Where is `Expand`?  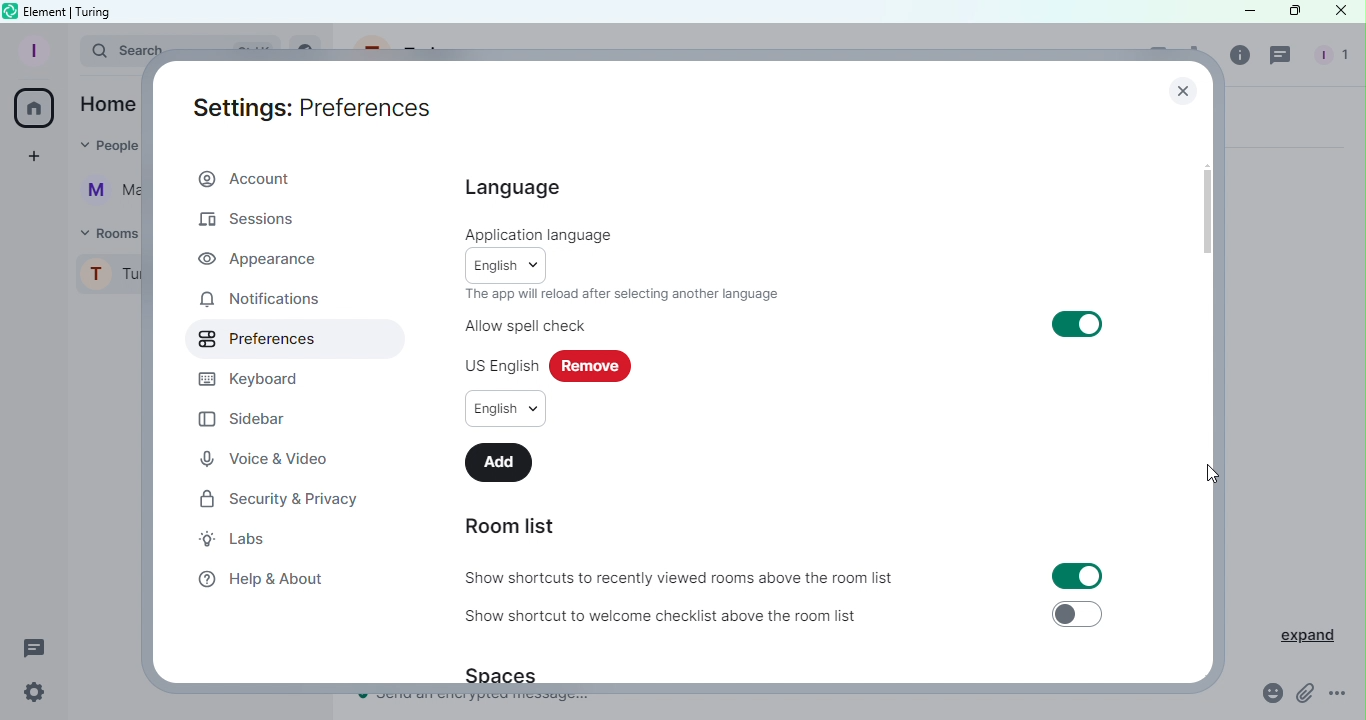 Expand is located at coordinates (1296, 632).